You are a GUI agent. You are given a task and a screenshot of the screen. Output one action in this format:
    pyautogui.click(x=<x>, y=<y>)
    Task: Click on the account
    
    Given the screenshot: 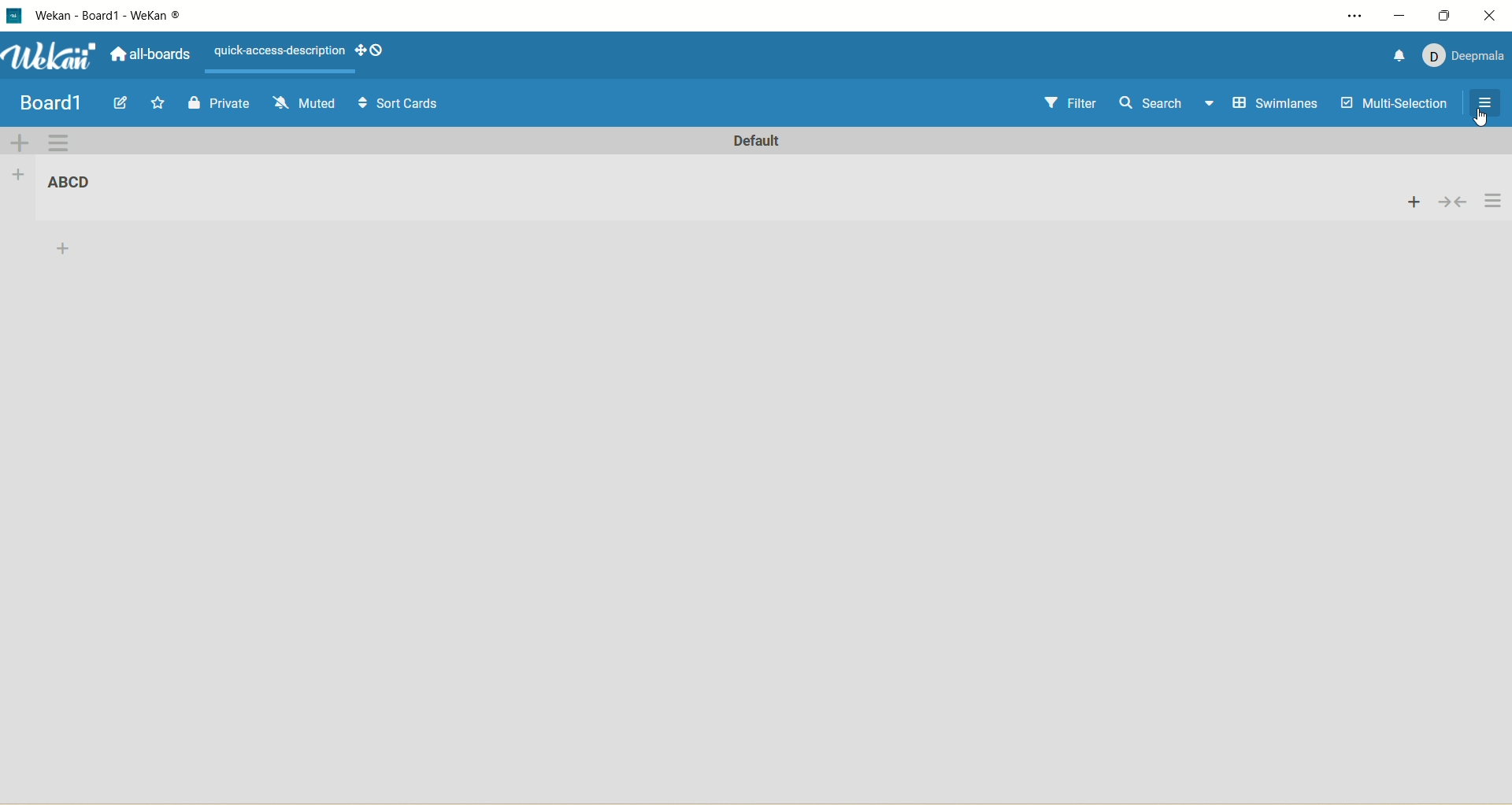 What is the action you would take?
    pyautogui.click(x=1464, y=57)
    